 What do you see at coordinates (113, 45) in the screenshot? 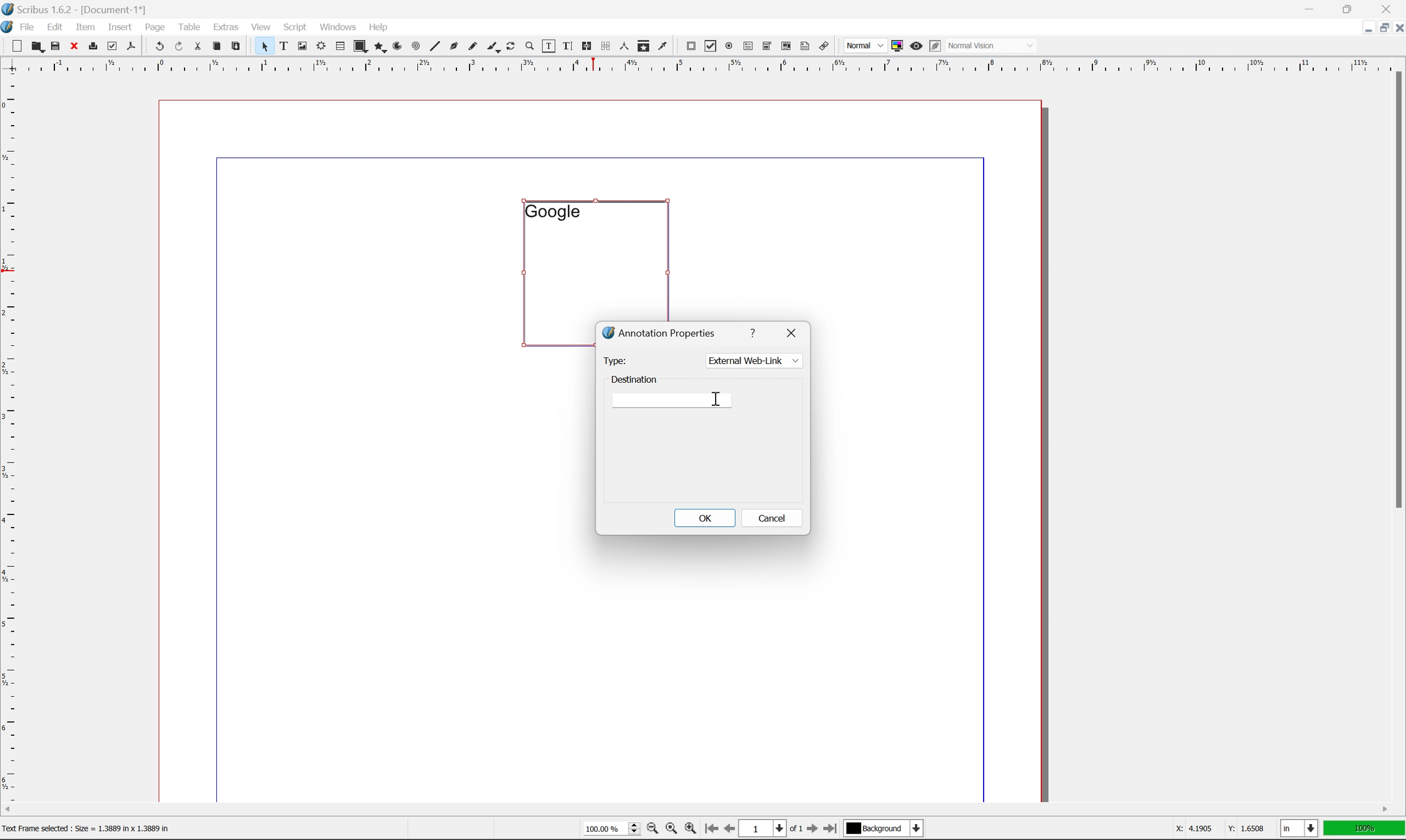
I see `preflight verifier` at bounding box center [113, 45].